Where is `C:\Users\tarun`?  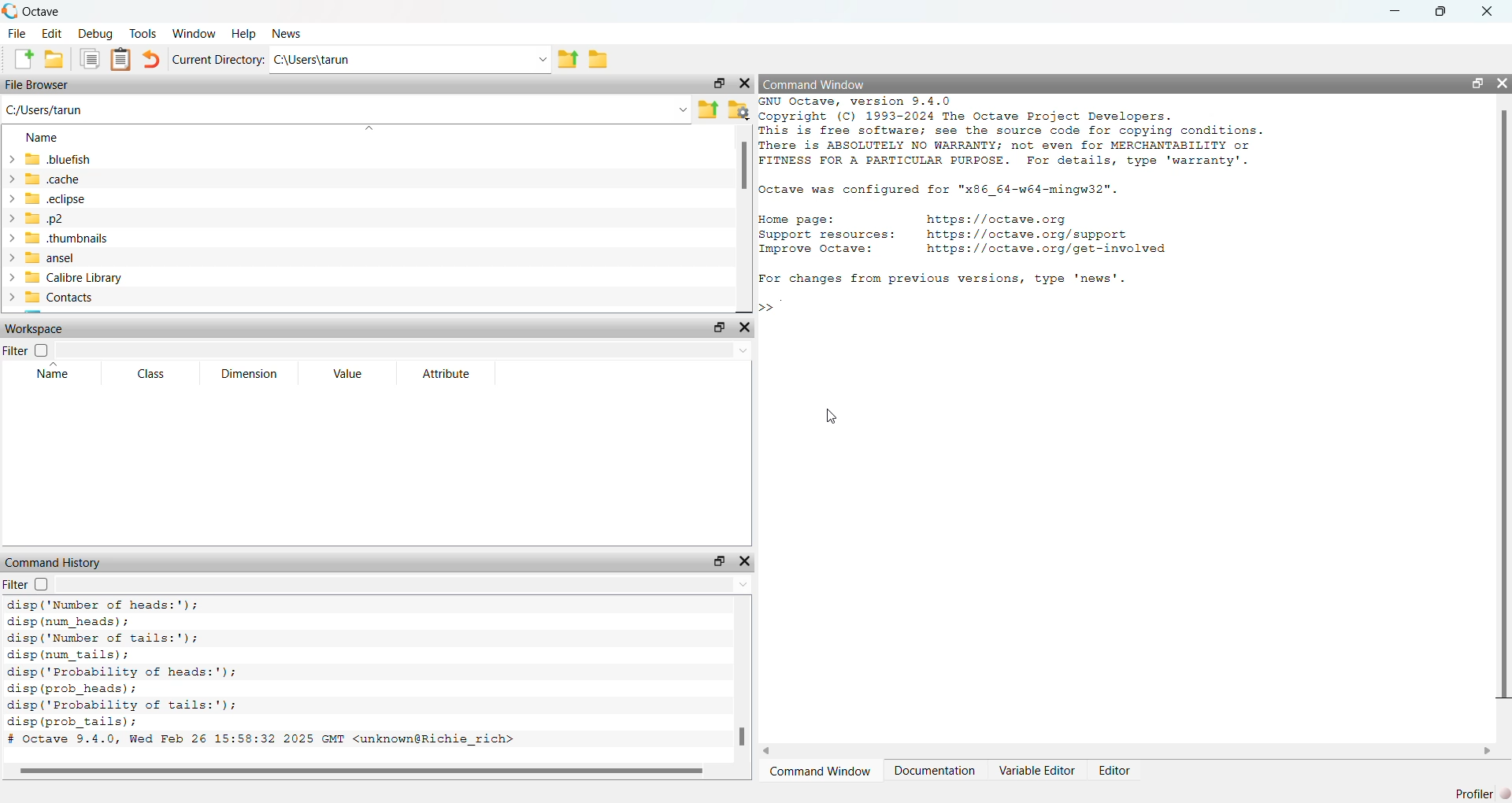 C:\Users\tarun is located at coordinates (398, 59).